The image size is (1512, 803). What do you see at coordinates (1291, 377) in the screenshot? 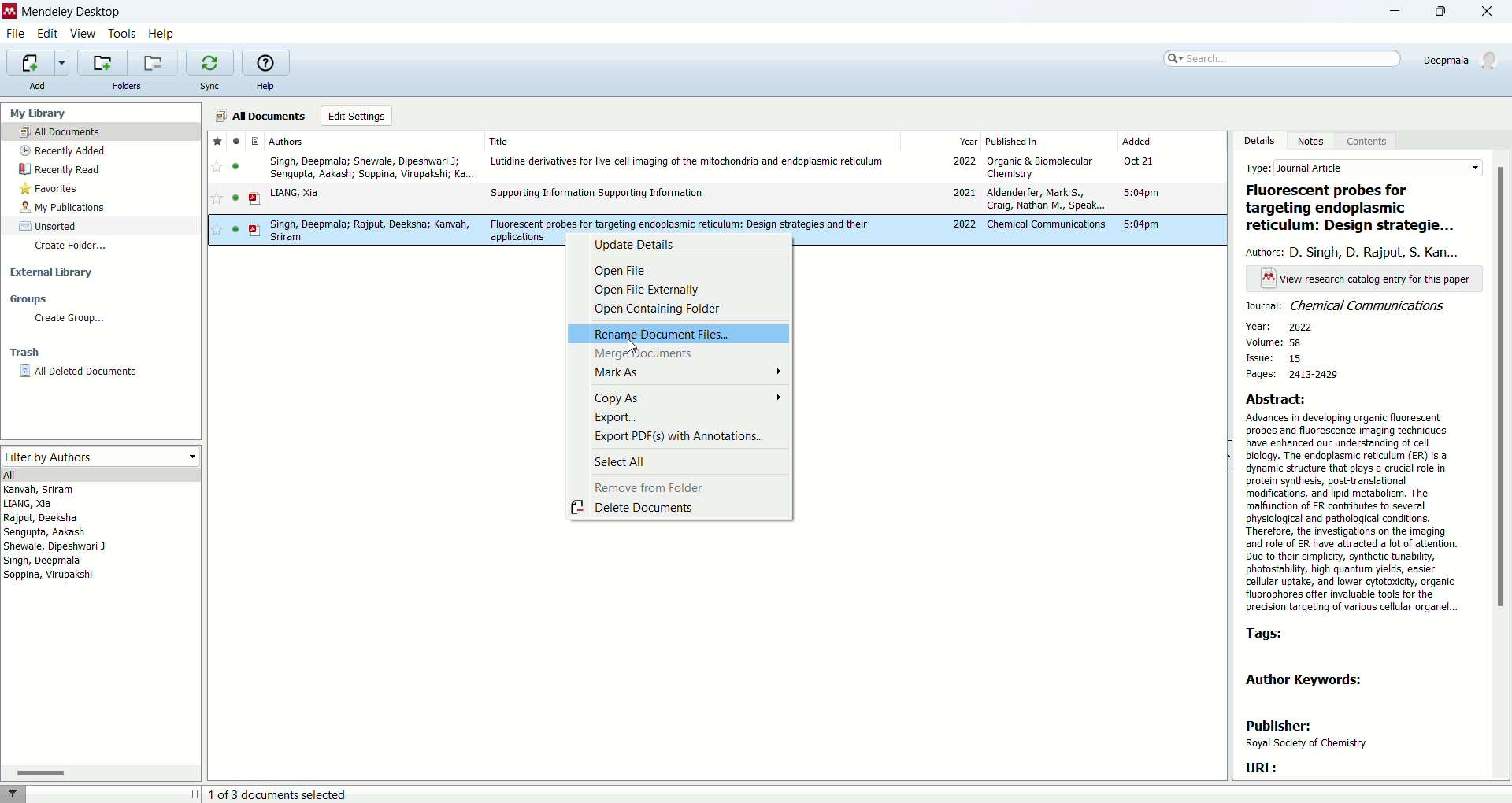
I see `pages` at bounding box center [1291, 377].